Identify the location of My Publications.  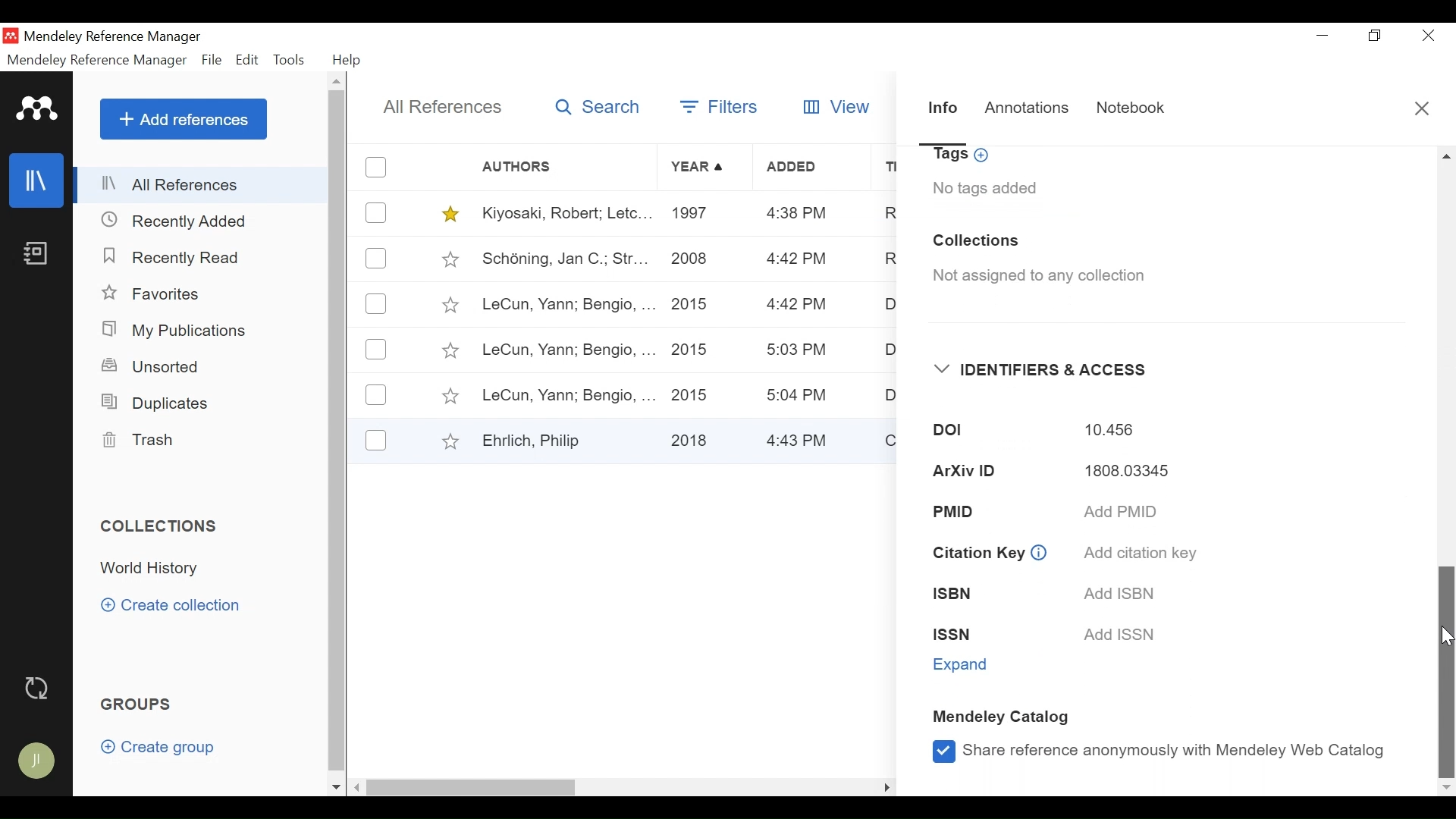
(174, 331).